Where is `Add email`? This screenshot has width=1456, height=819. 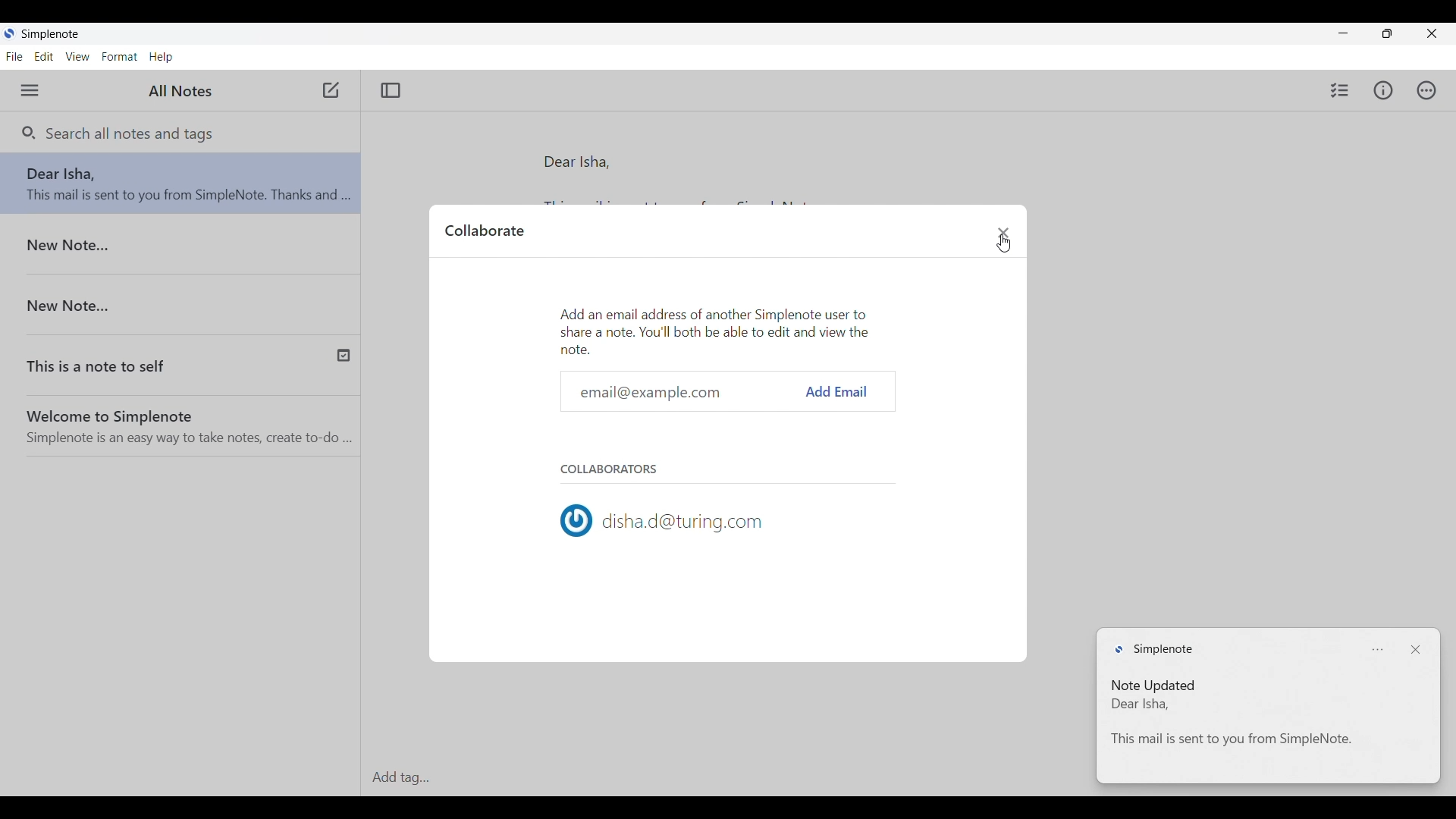
Add email is located at coordinates (838, 392).